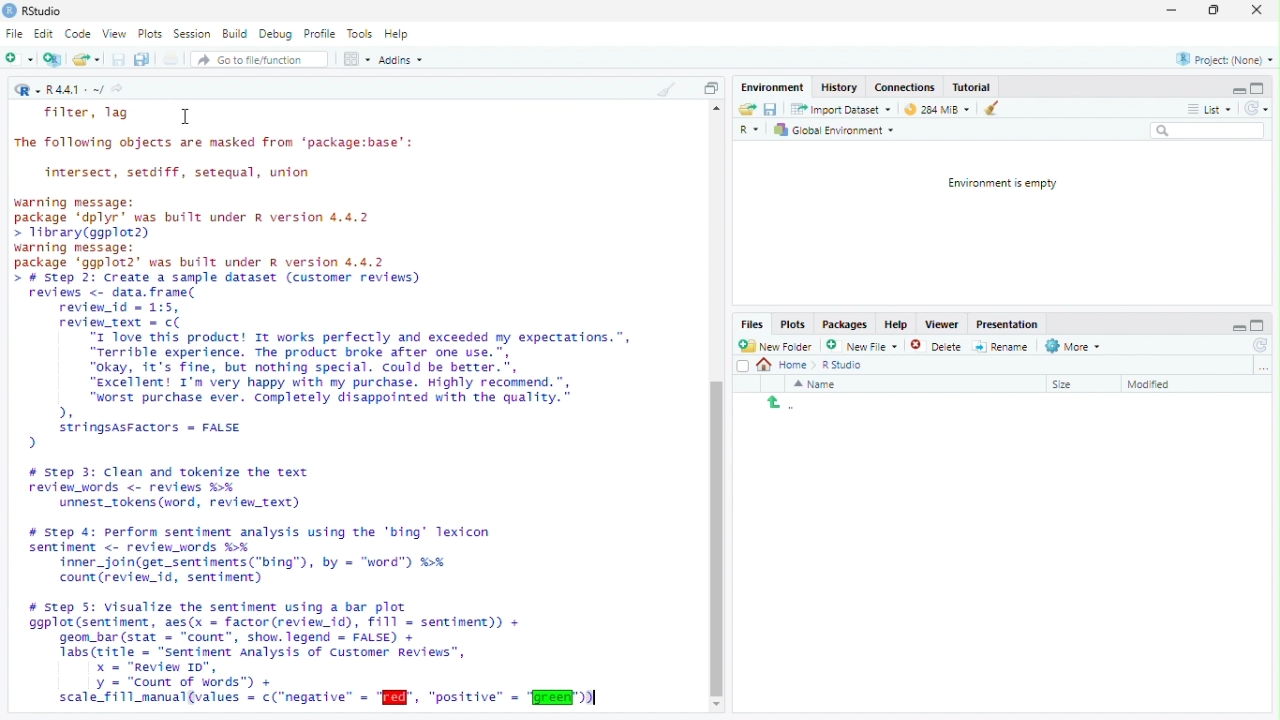 Image resolution: width=1280 pixels, height=720 pixels. I want to click on Go, so click(121, 91).